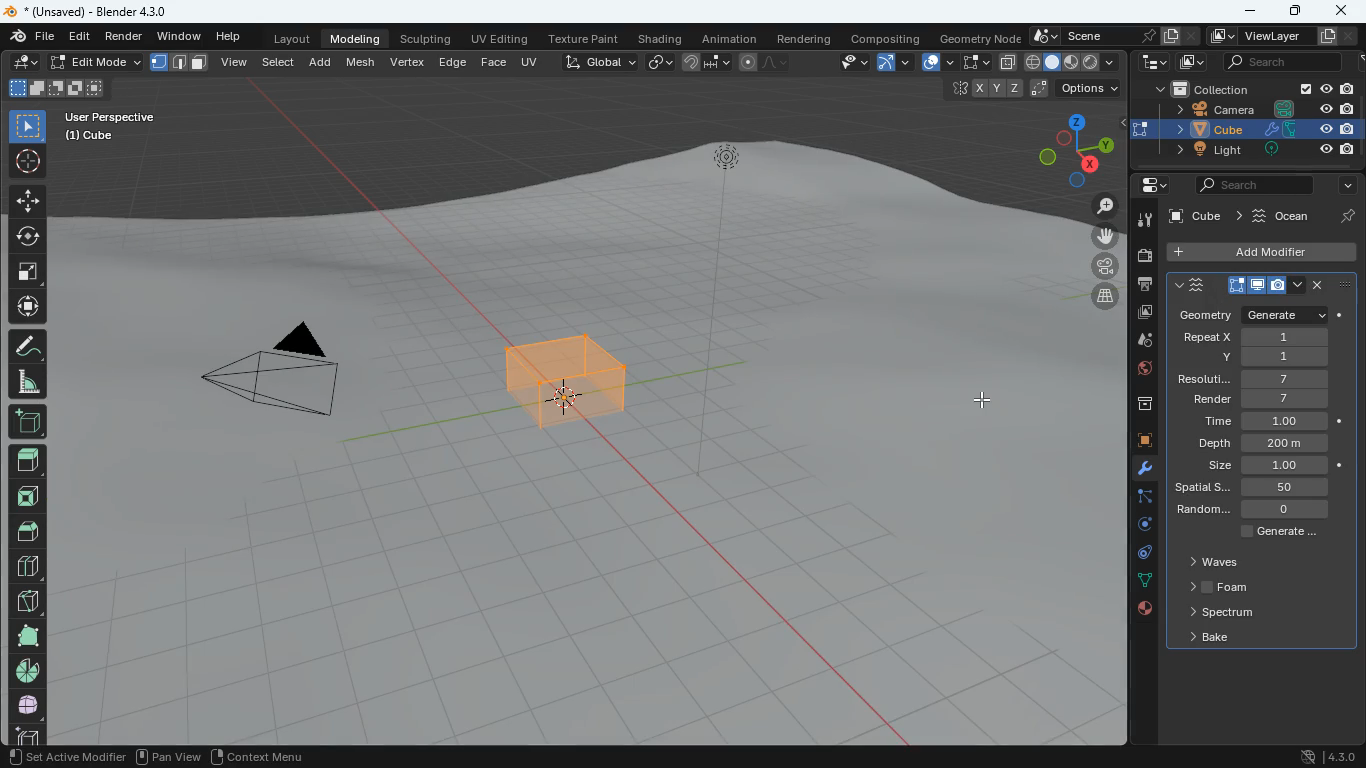 The height and width of the screenshot is (768, 1366). Describe the element at coordinates (1111, 36) in the screenshot. I see `scene` at that location.